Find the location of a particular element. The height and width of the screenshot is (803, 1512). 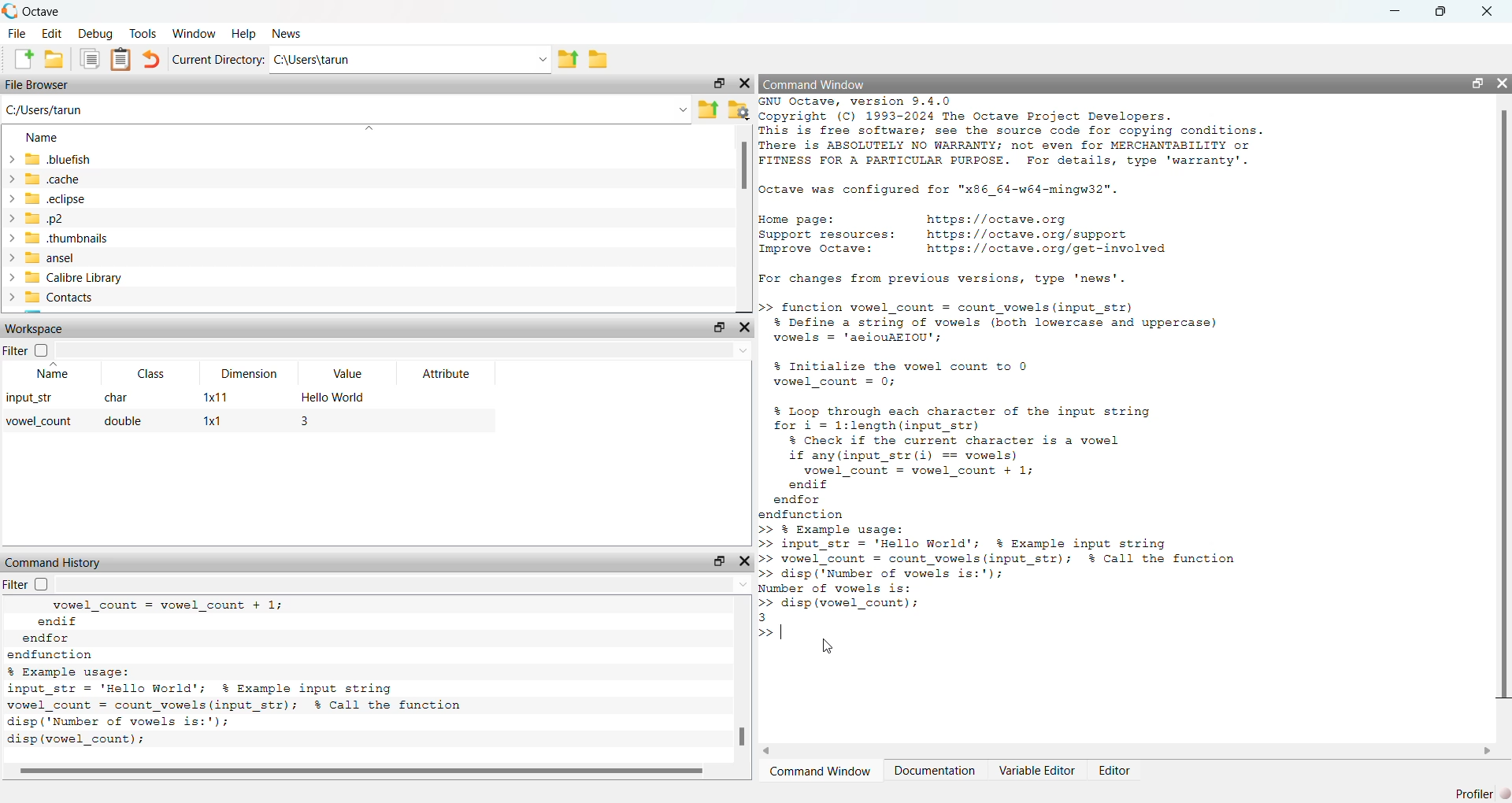

Hide Widget is located at coordinates (744, 327).